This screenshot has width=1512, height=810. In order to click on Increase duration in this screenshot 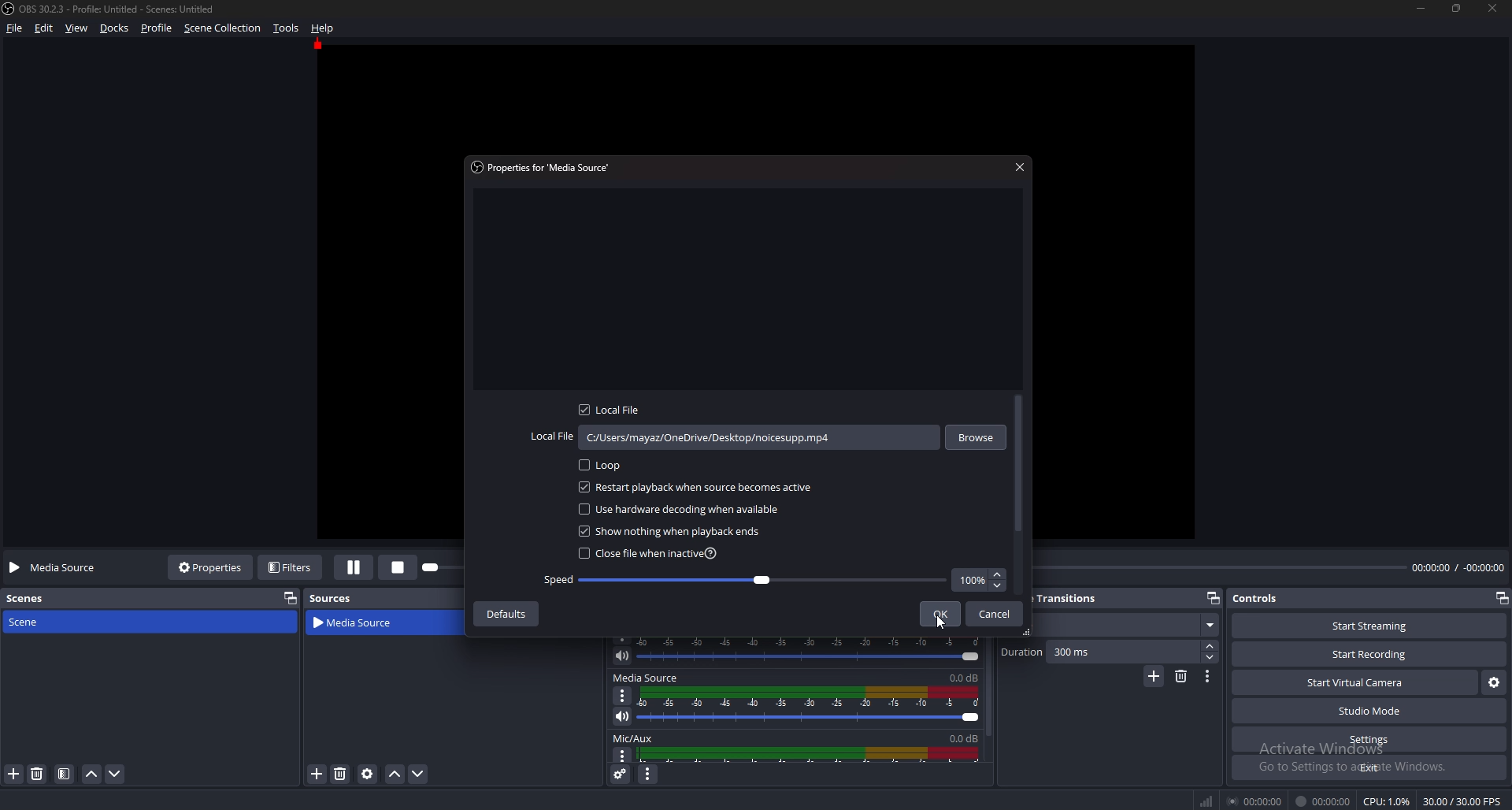, I will do `click(1212, 646)`.